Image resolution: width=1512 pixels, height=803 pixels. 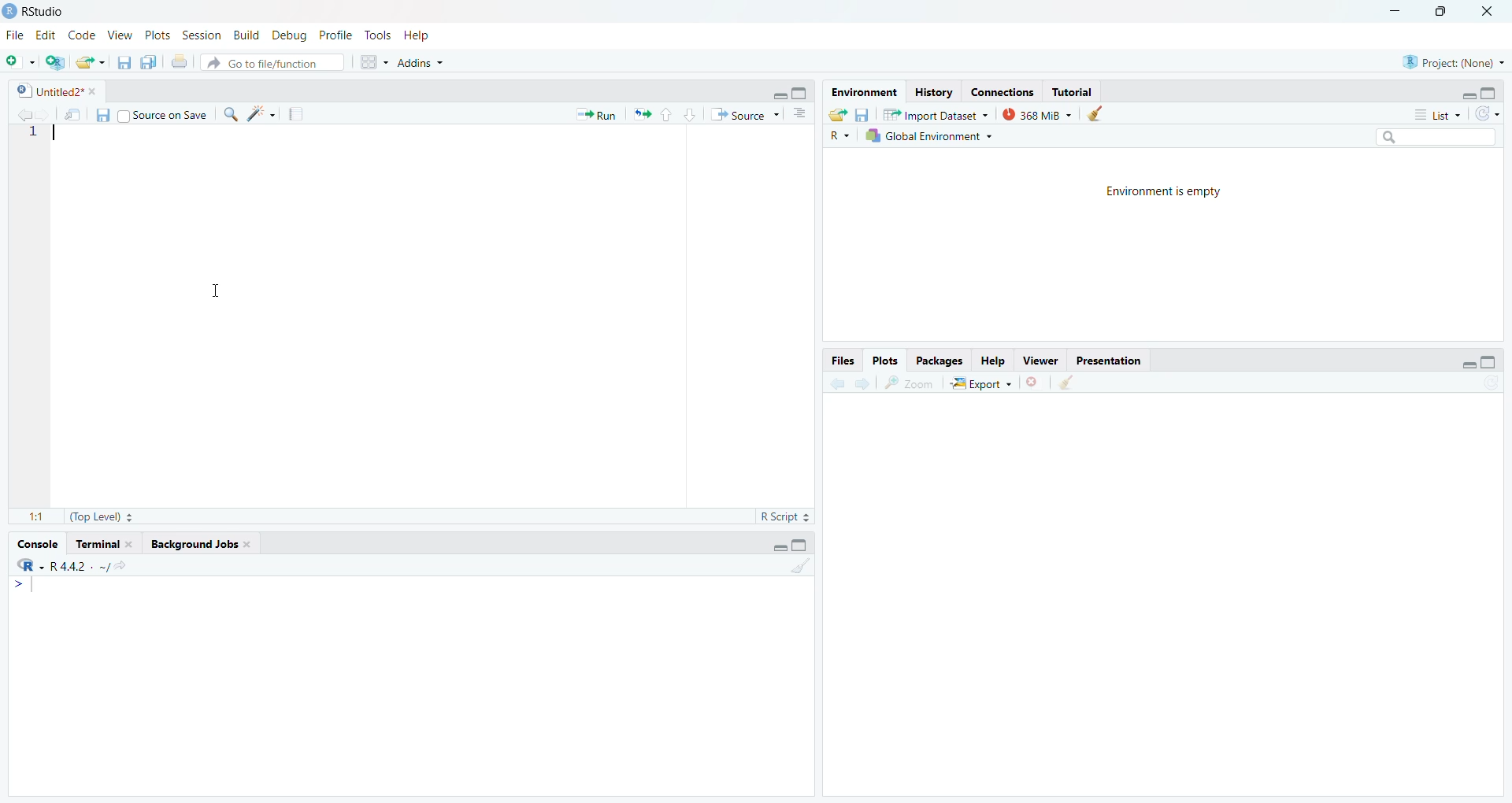 What do you see at coordinates (16, 35) in the screenshot?
I see `File` at bounding box center [16, 35].